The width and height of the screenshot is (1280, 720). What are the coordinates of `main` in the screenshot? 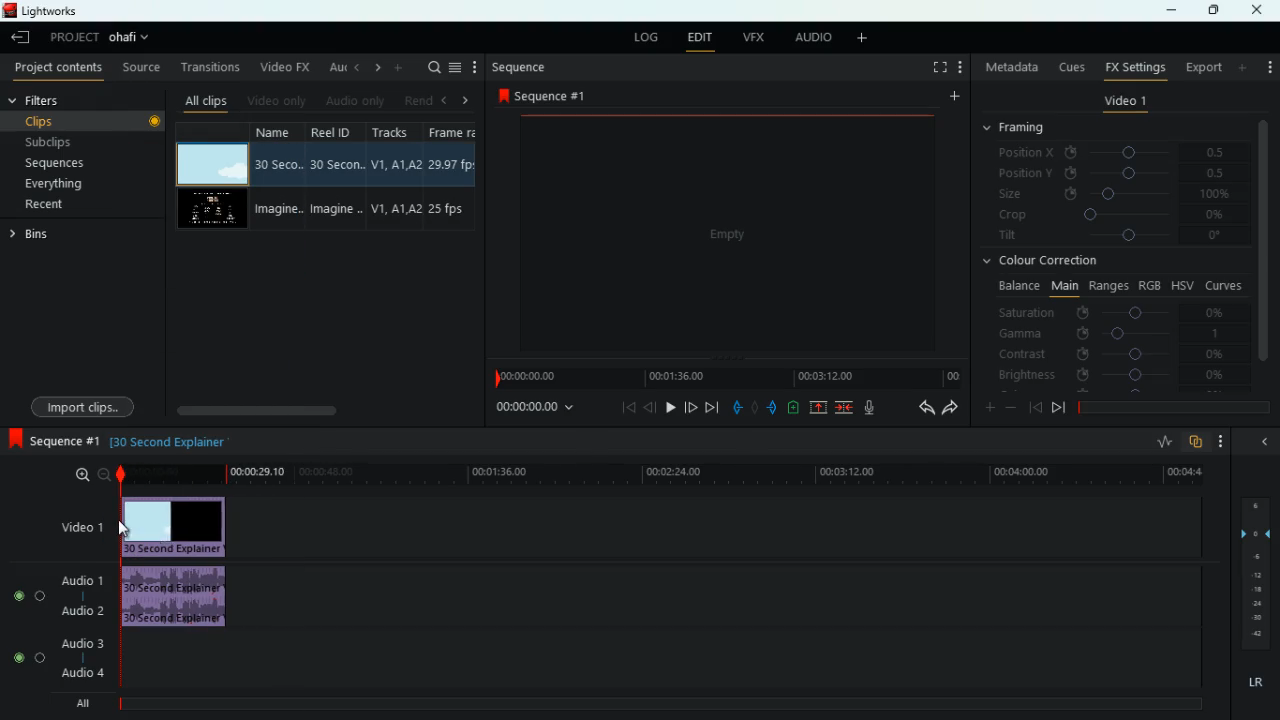 It's located at (1062, 287).